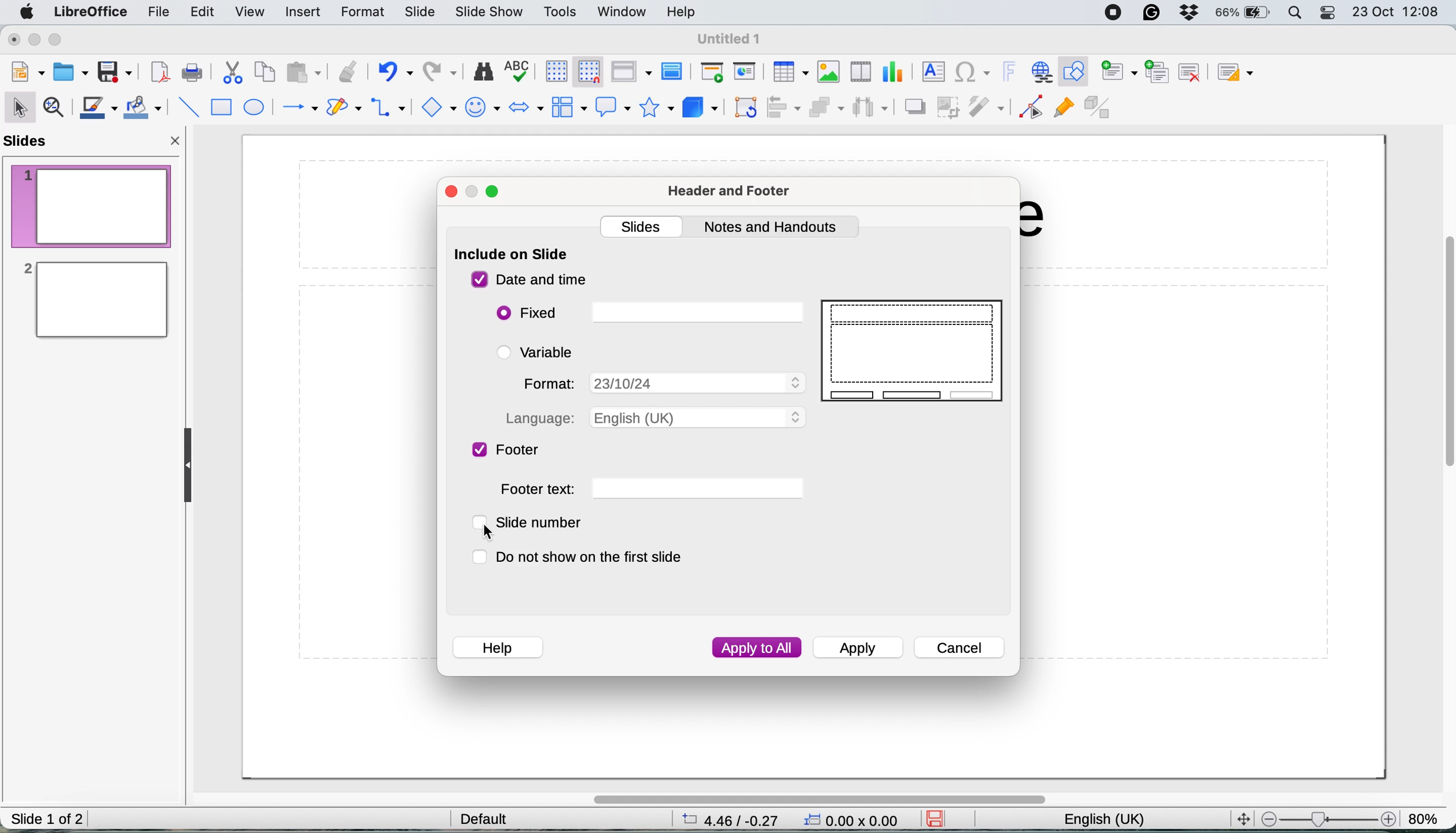 The height and width of the screenshot is (833, 1456). What do you see at coordinates (484, 71) in the screenshot?
I see `find and replace` at bounding box center [484, 71].